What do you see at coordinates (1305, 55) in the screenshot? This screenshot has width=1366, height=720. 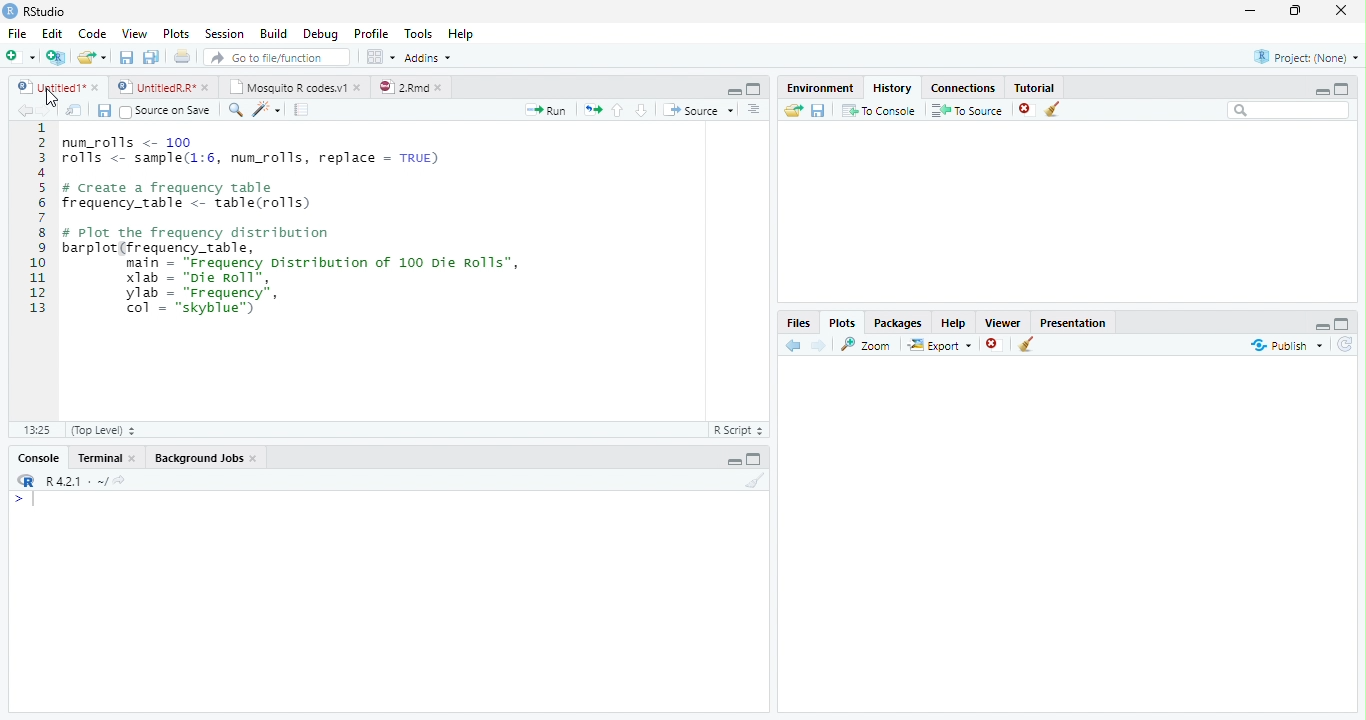 I see `Project: (None)` at bounding box center [1305, 55].